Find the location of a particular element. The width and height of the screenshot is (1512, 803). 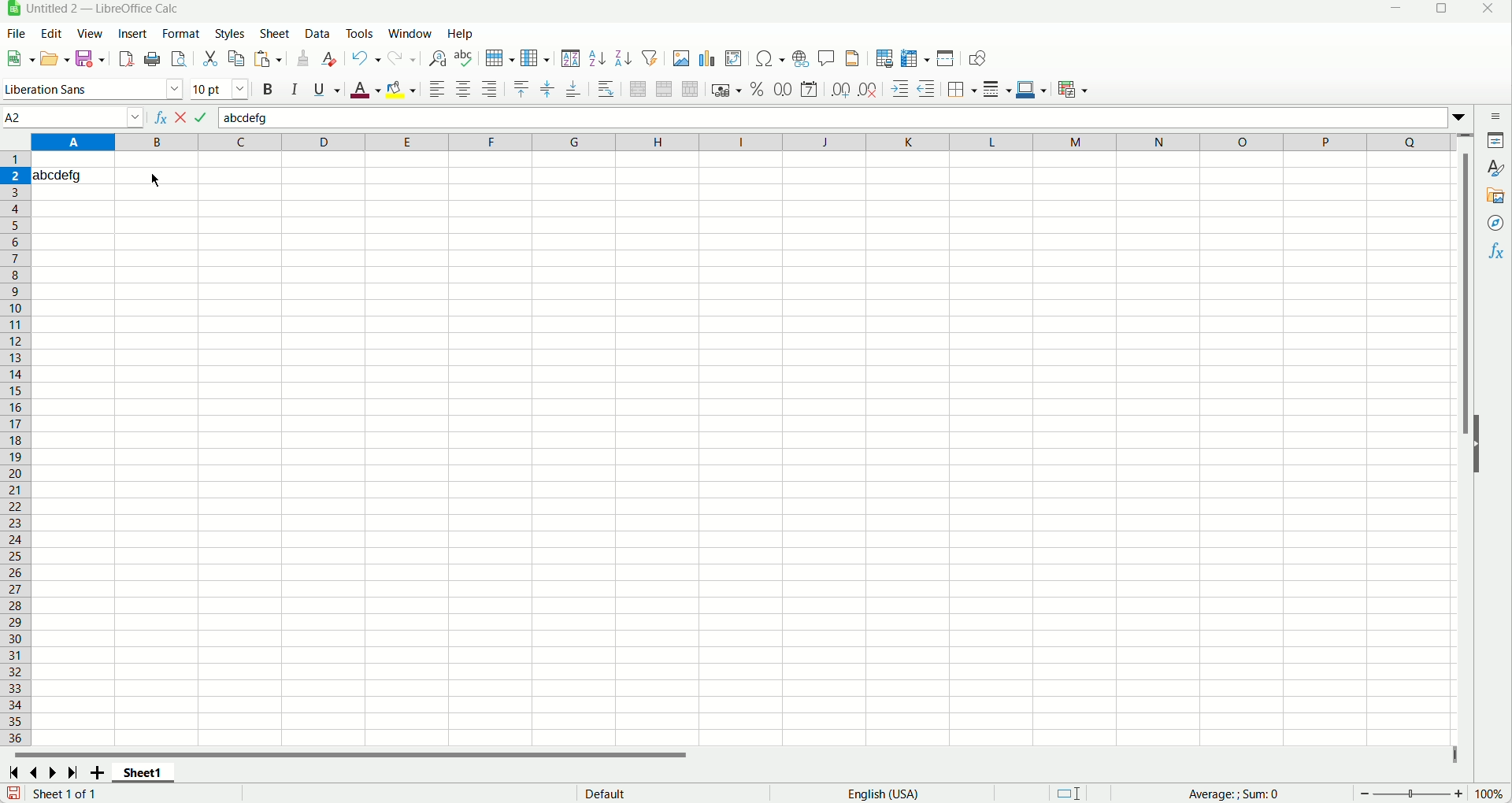

sort ascending is located at coordinates (596, 59).